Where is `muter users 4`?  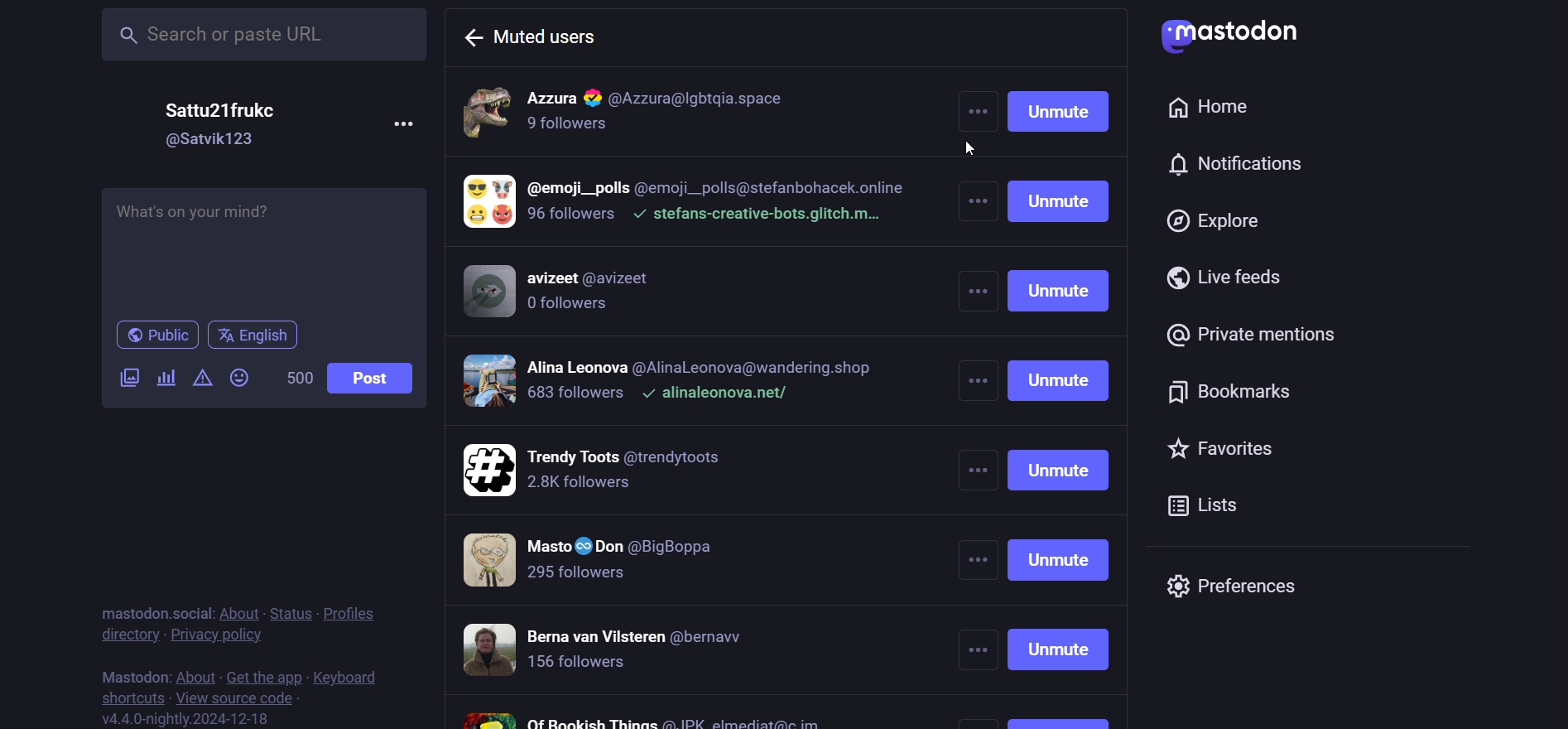 muter users 4 is located at coordinates (680, 382).